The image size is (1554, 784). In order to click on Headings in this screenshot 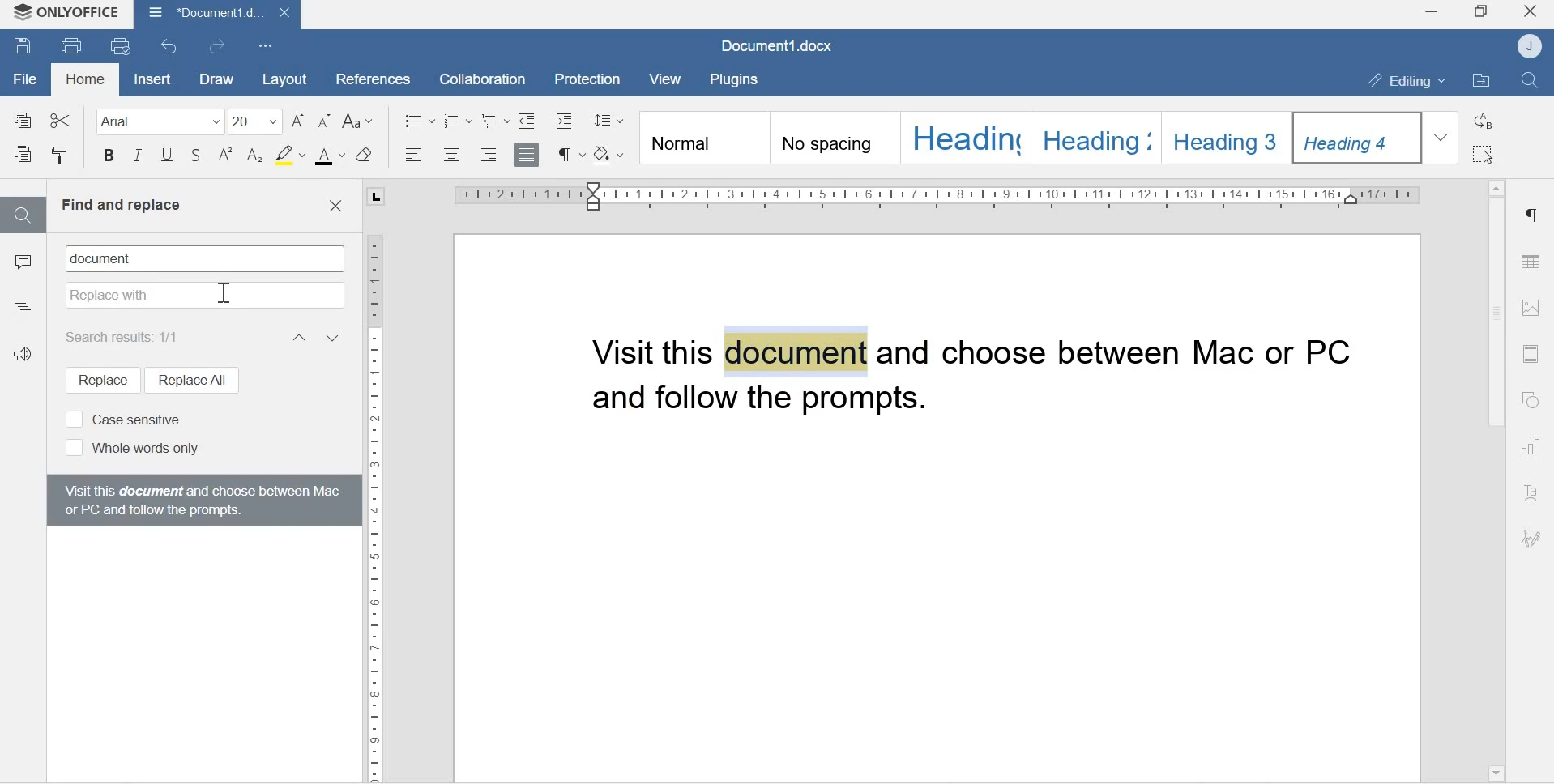, I will do `click(23, 306)`.